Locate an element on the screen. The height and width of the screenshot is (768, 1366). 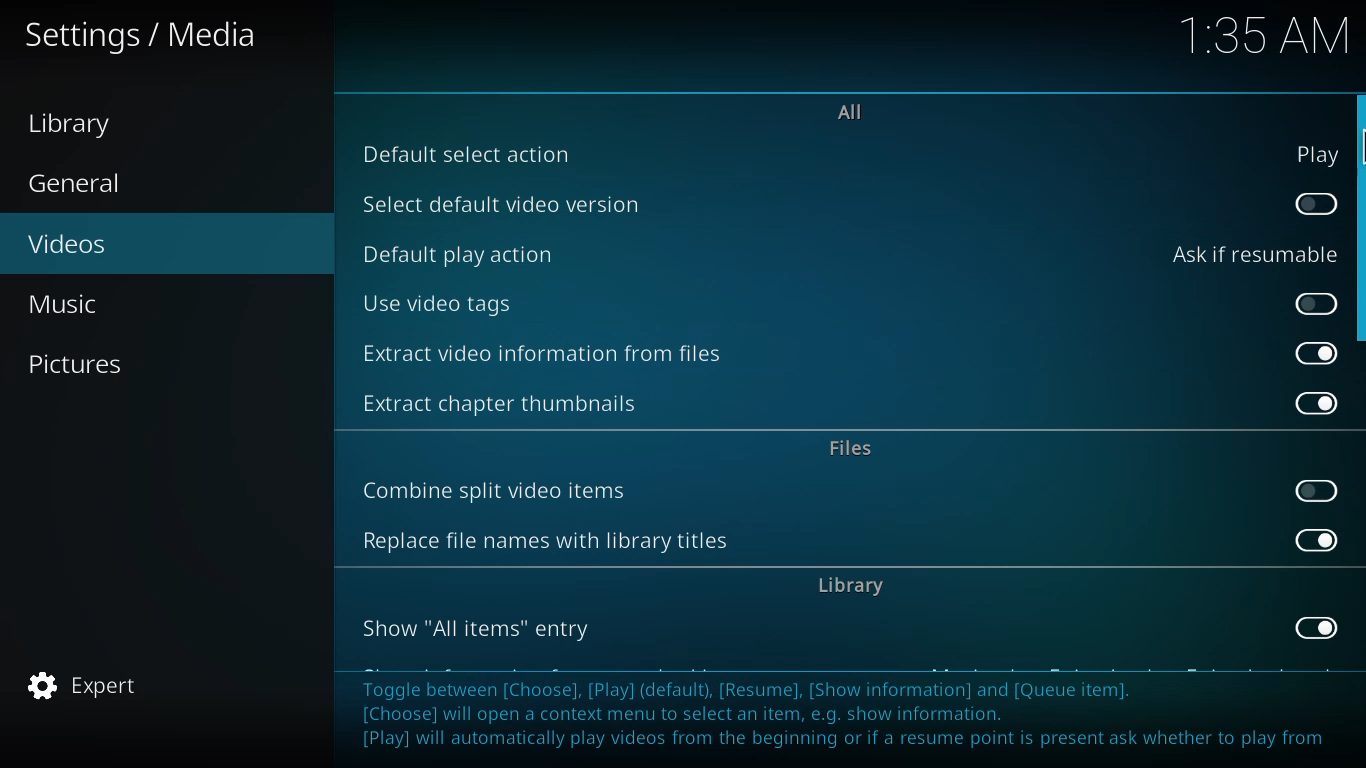
ask is located at coordinates (1252, 254).